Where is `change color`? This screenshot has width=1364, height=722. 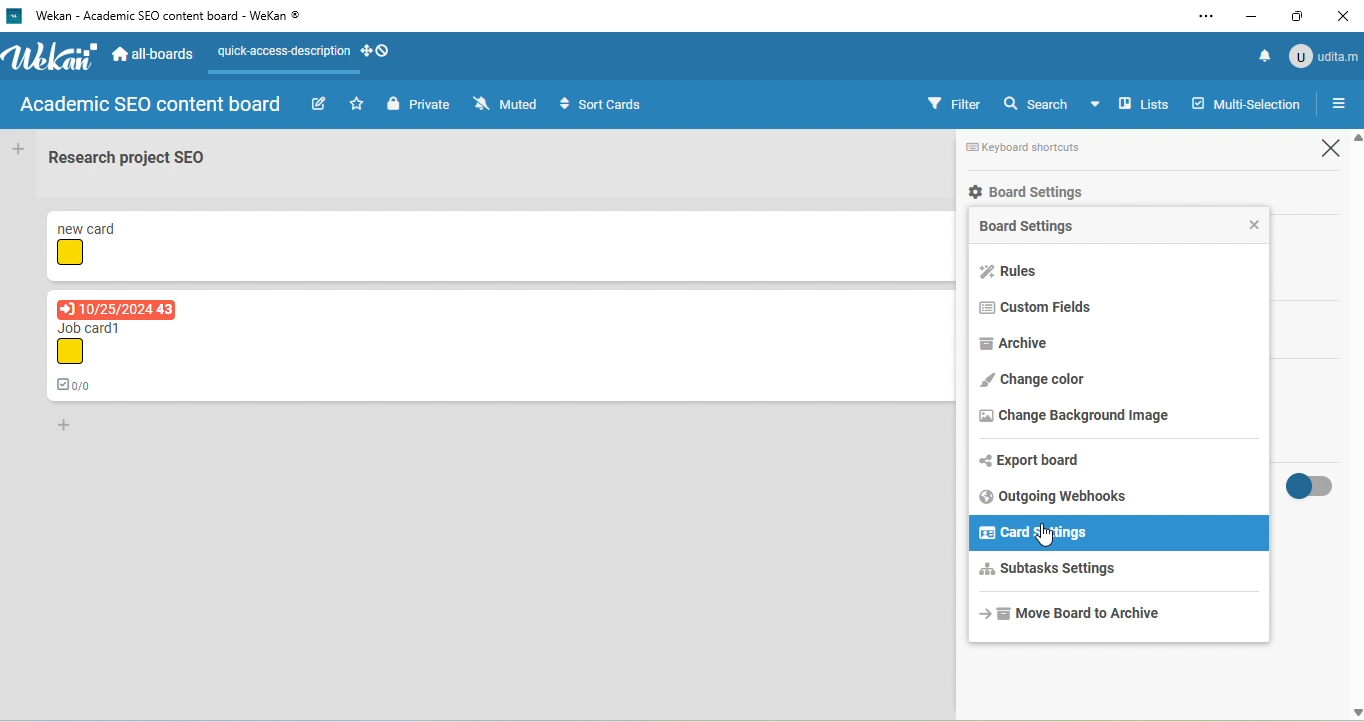
change color is located at coordinates (1039, 384).